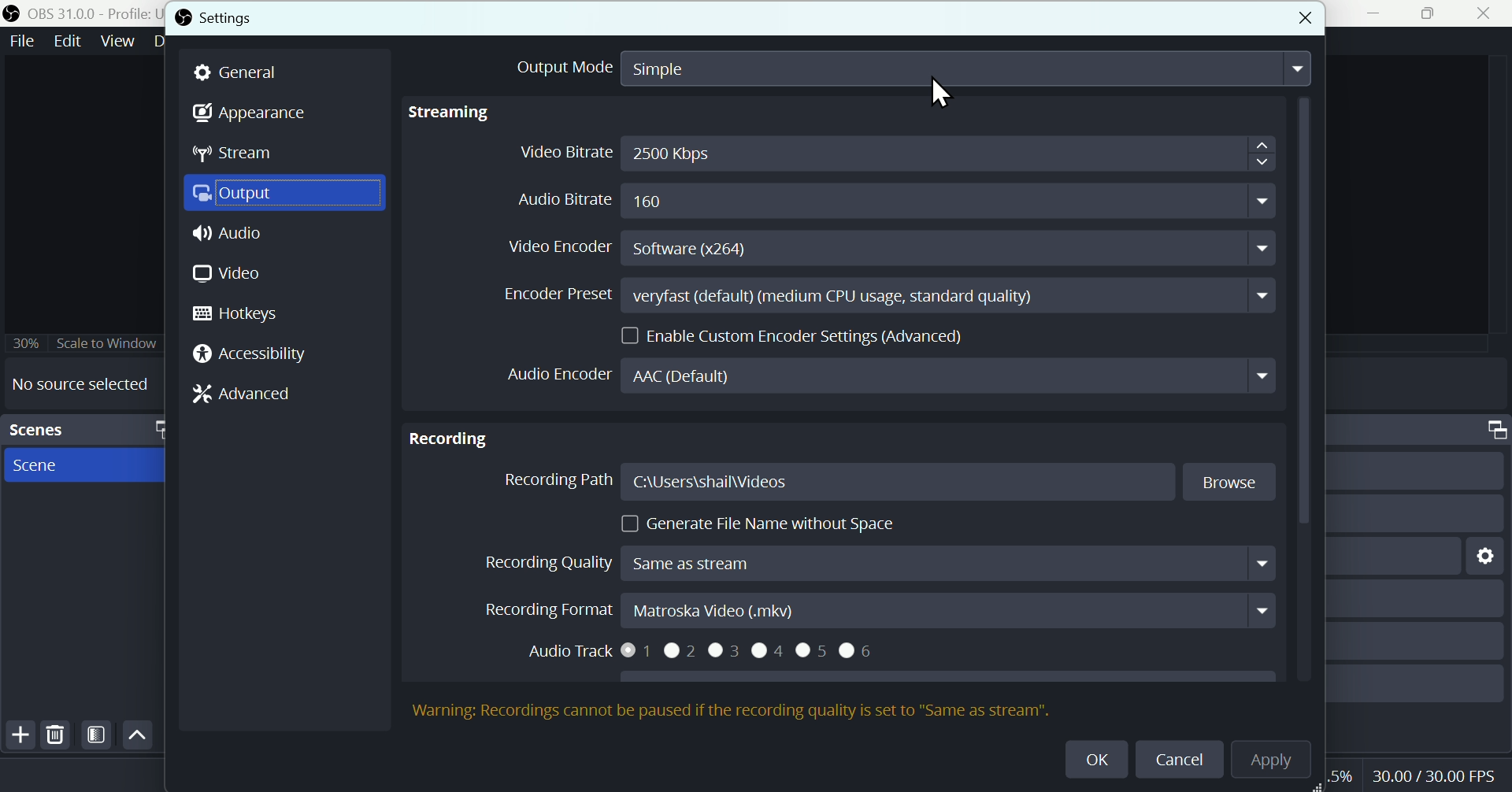  I want to click on Autobitrate, so click(872, 200).